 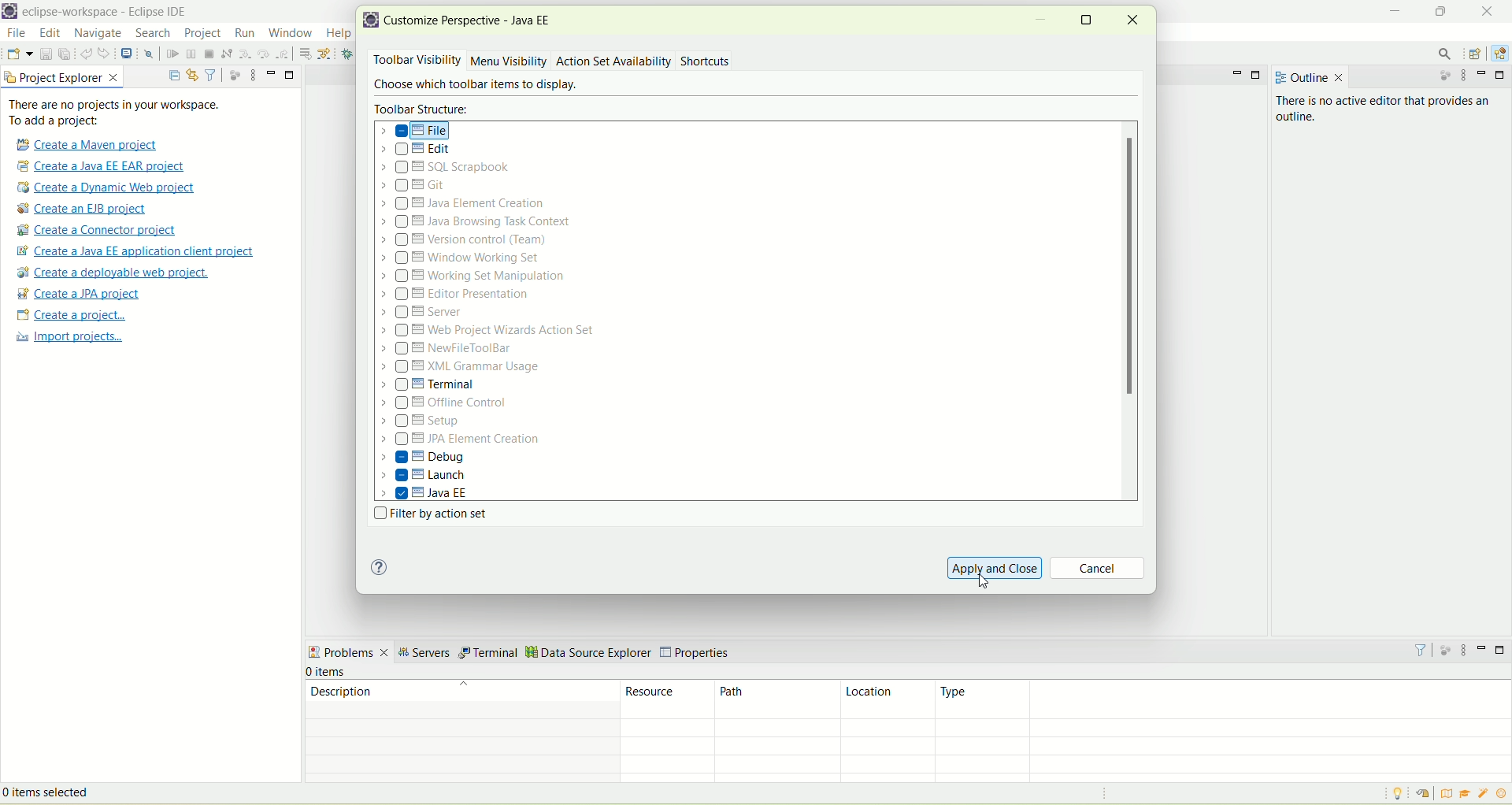 I want to click on view menu, so click(x=1467, y=651).